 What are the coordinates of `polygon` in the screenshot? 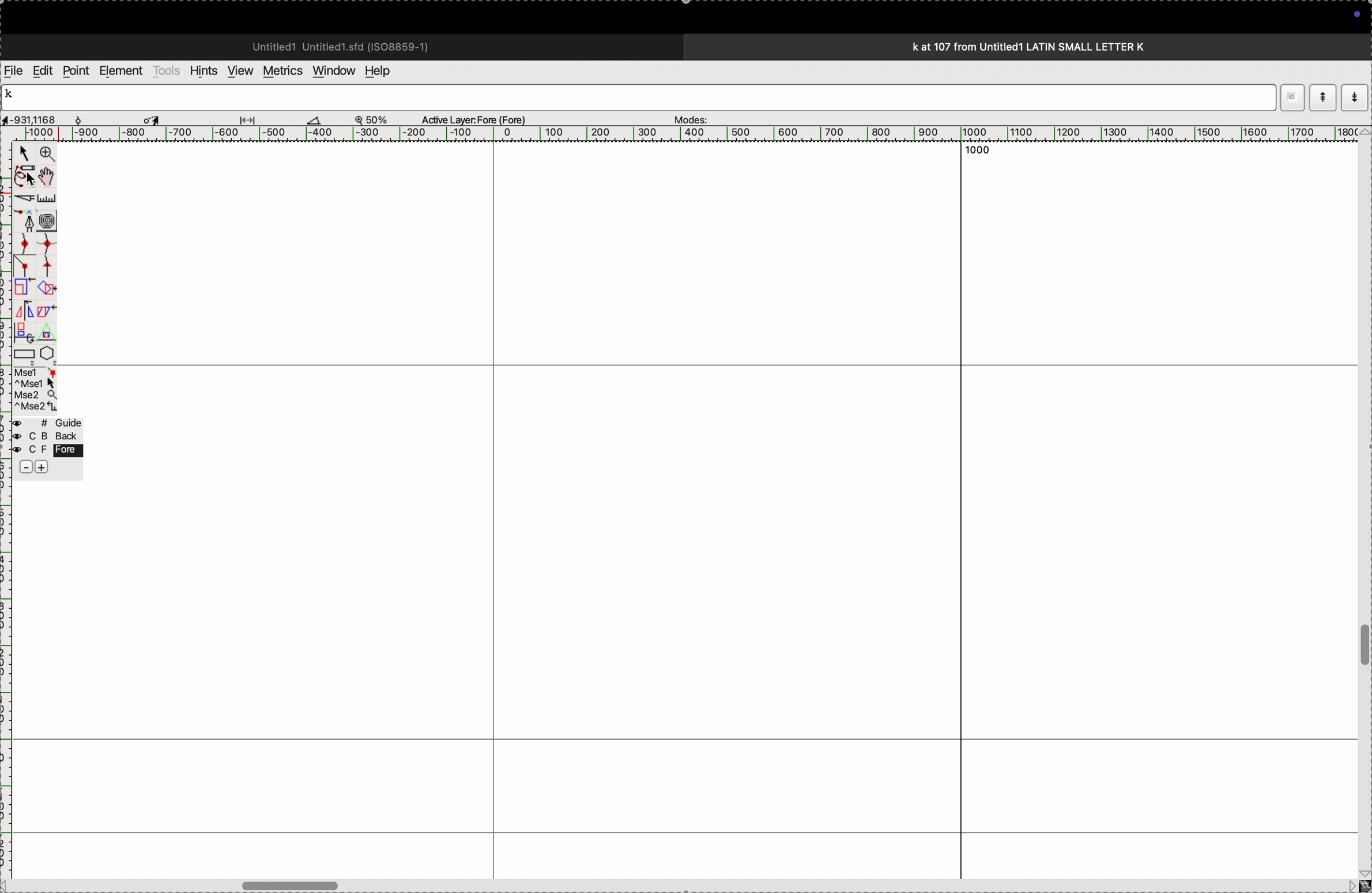 It's located at (47, 353).